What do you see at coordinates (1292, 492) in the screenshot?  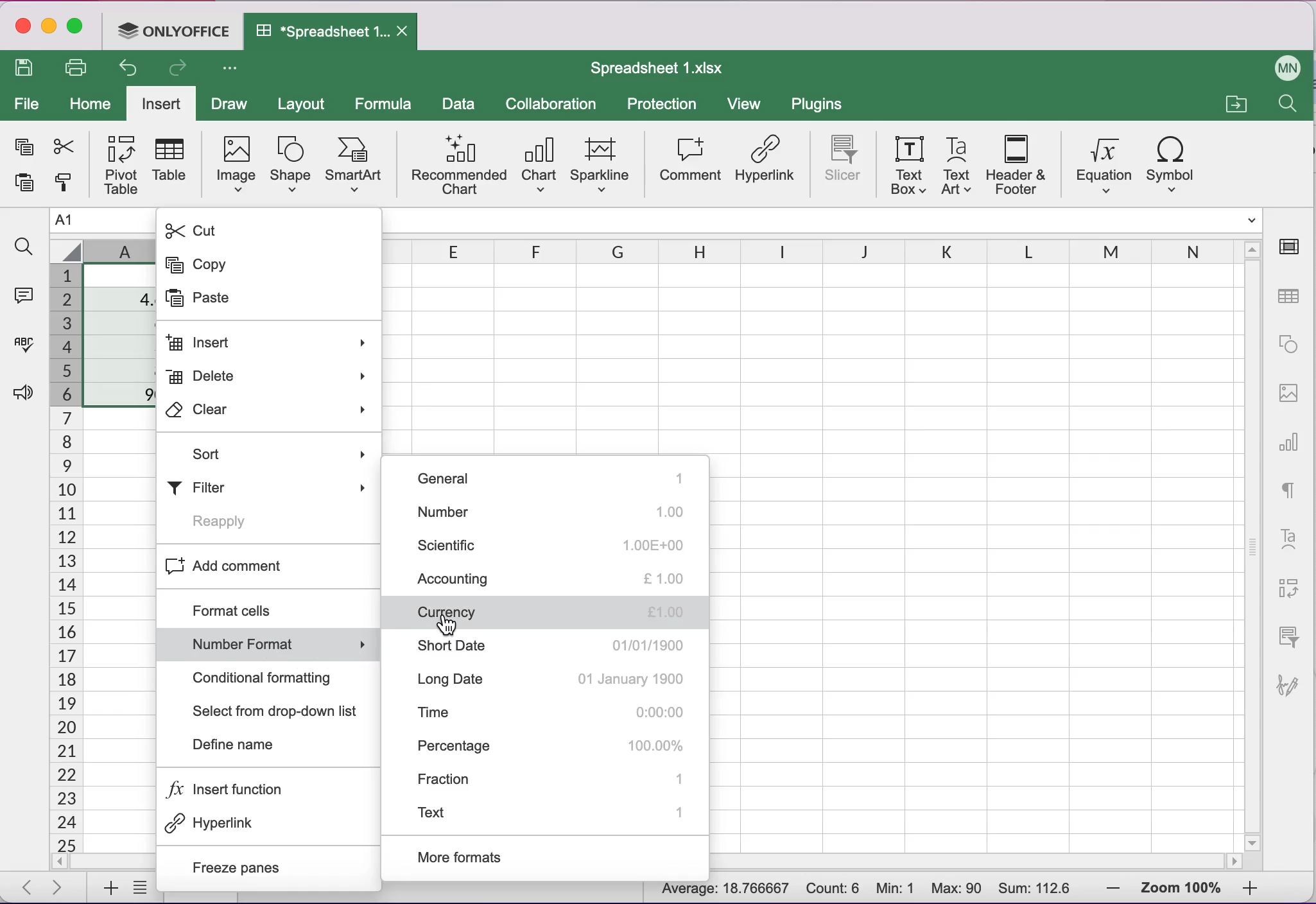 I see `text` at bounding box center [1292, 492].